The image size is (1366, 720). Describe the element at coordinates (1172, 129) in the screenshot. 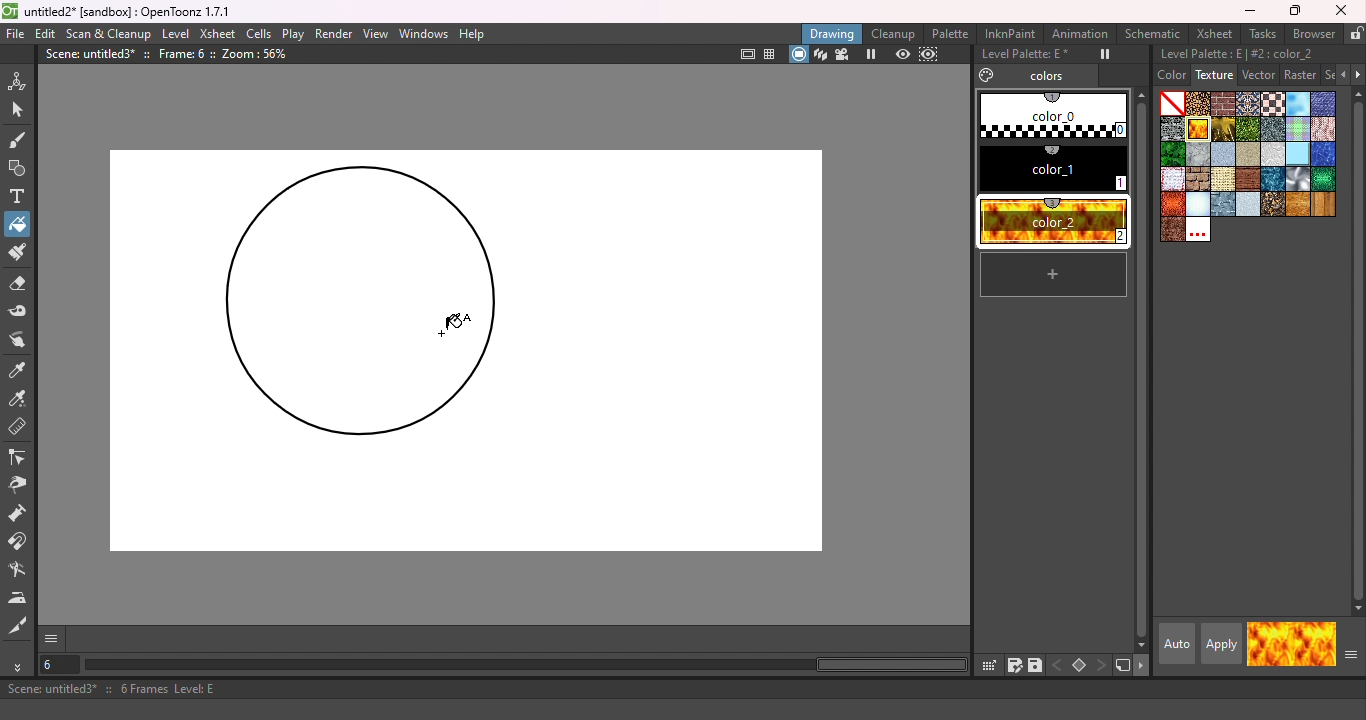

I see `Drystonewall.bmp` at that location.